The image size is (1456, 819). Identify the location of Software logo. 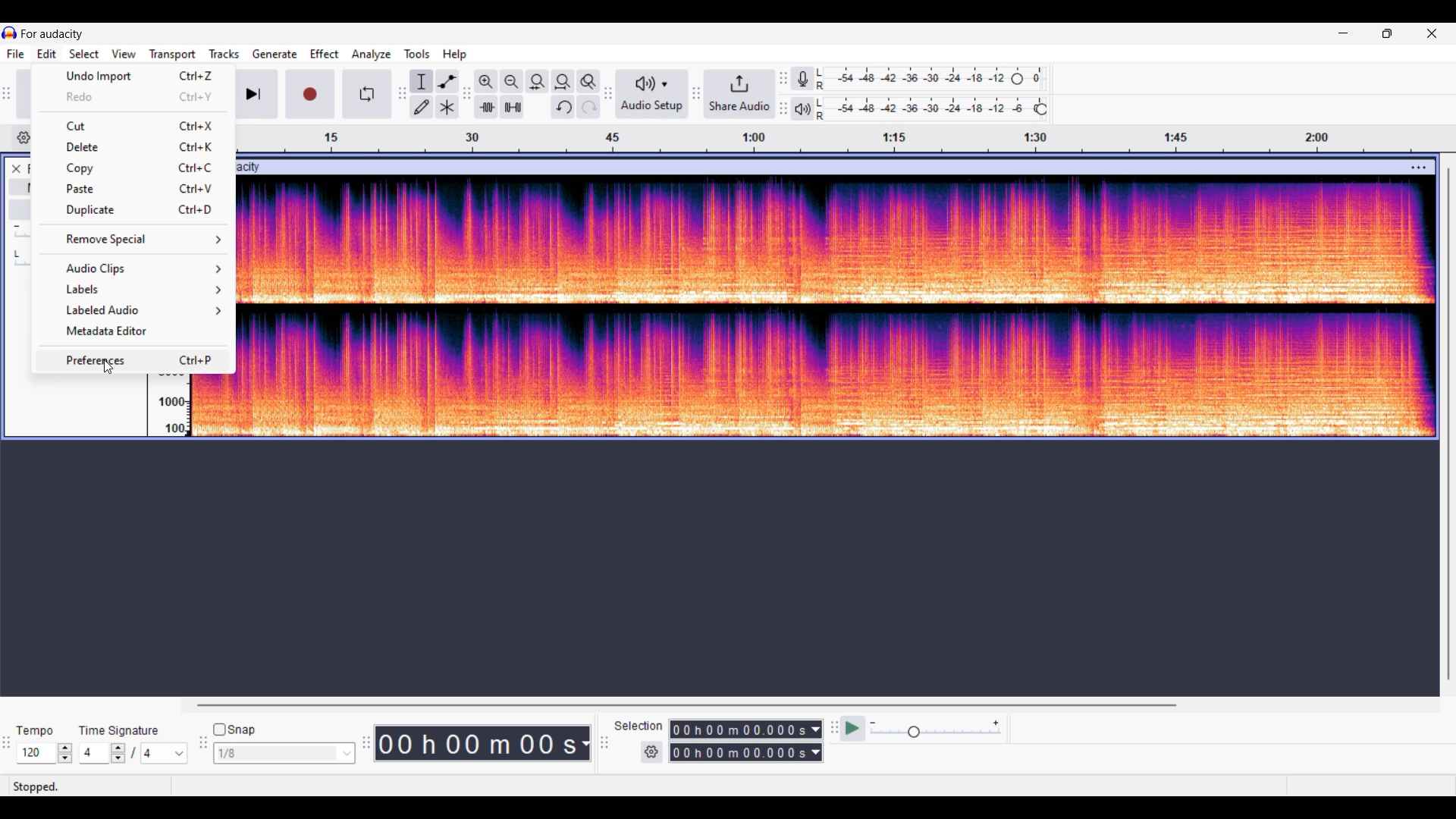
(10, 33).